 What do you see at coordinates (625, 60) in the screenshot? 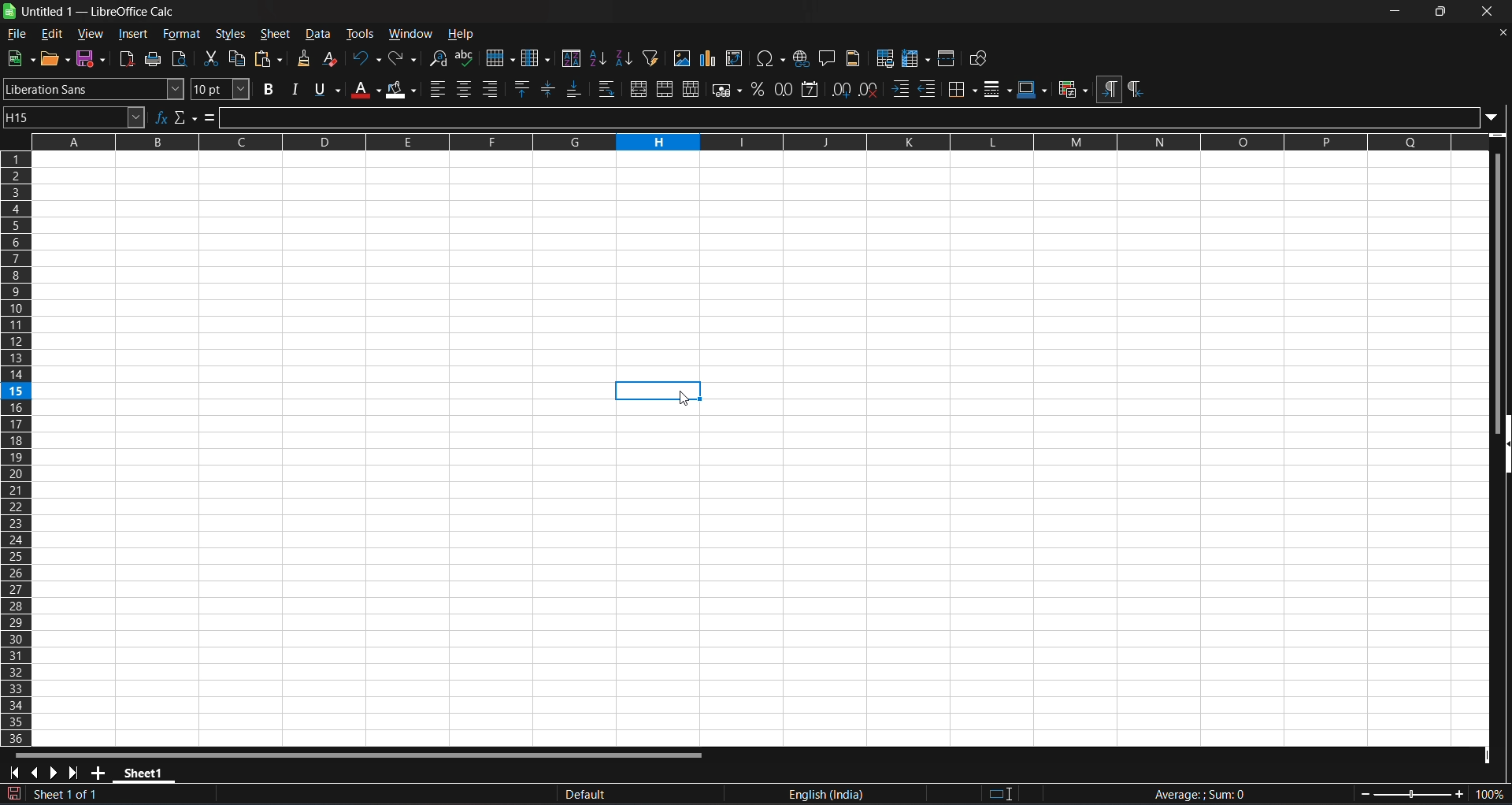
I see `sort descending` at bounding box center [625, 60].